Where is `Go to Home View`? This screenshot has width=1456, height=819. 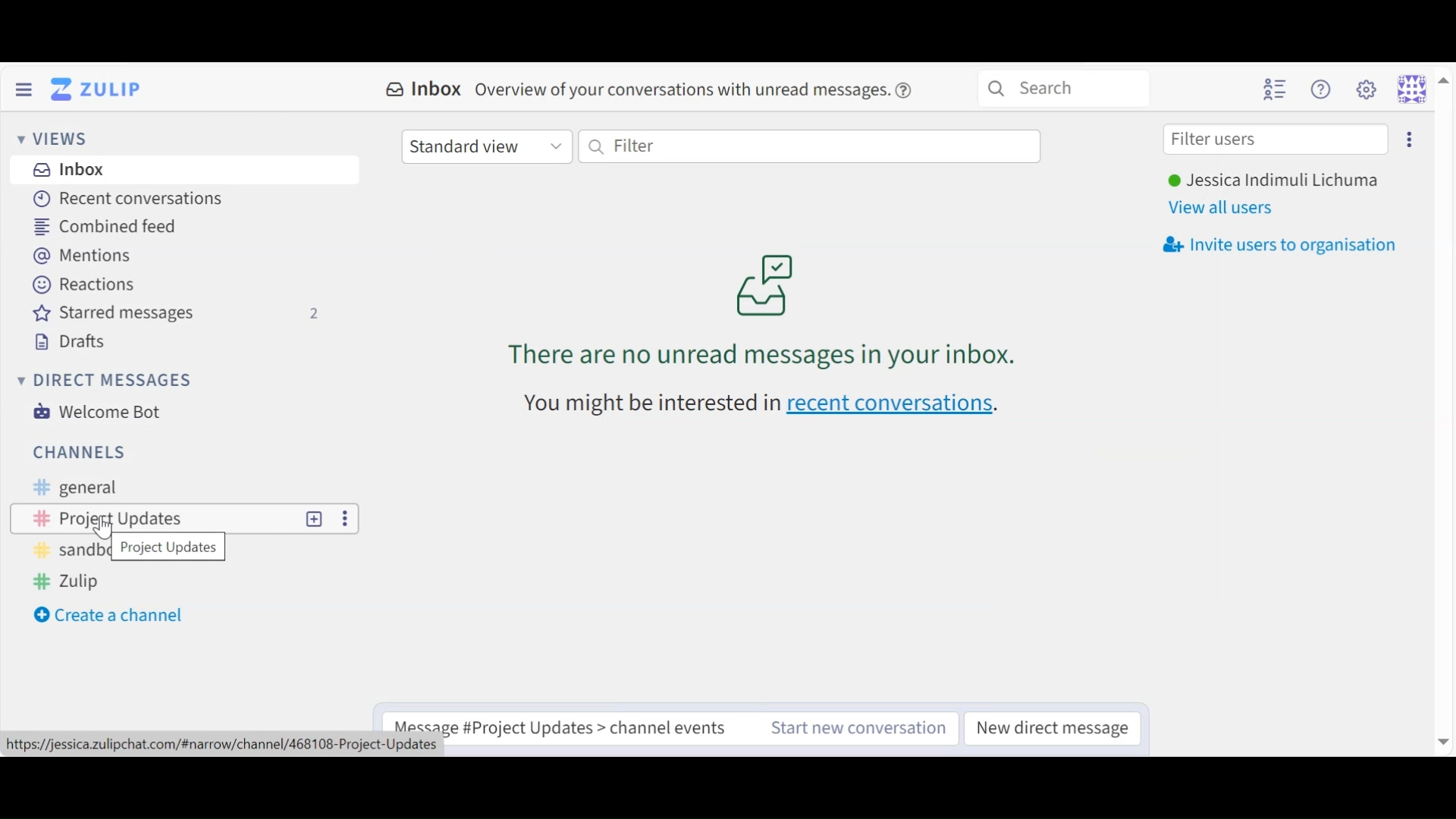 Go to Home View is located at coordinates (99, 89).